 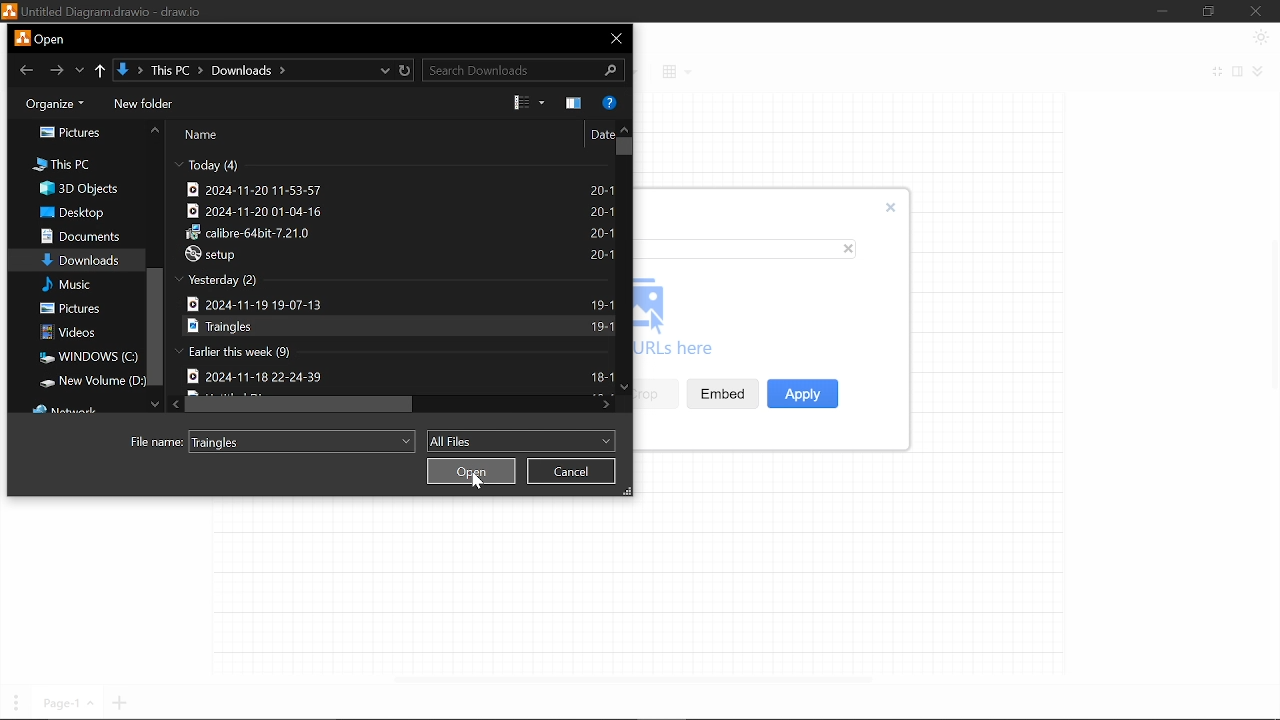 I want to click on 20-1, so click(x=604, y=190).